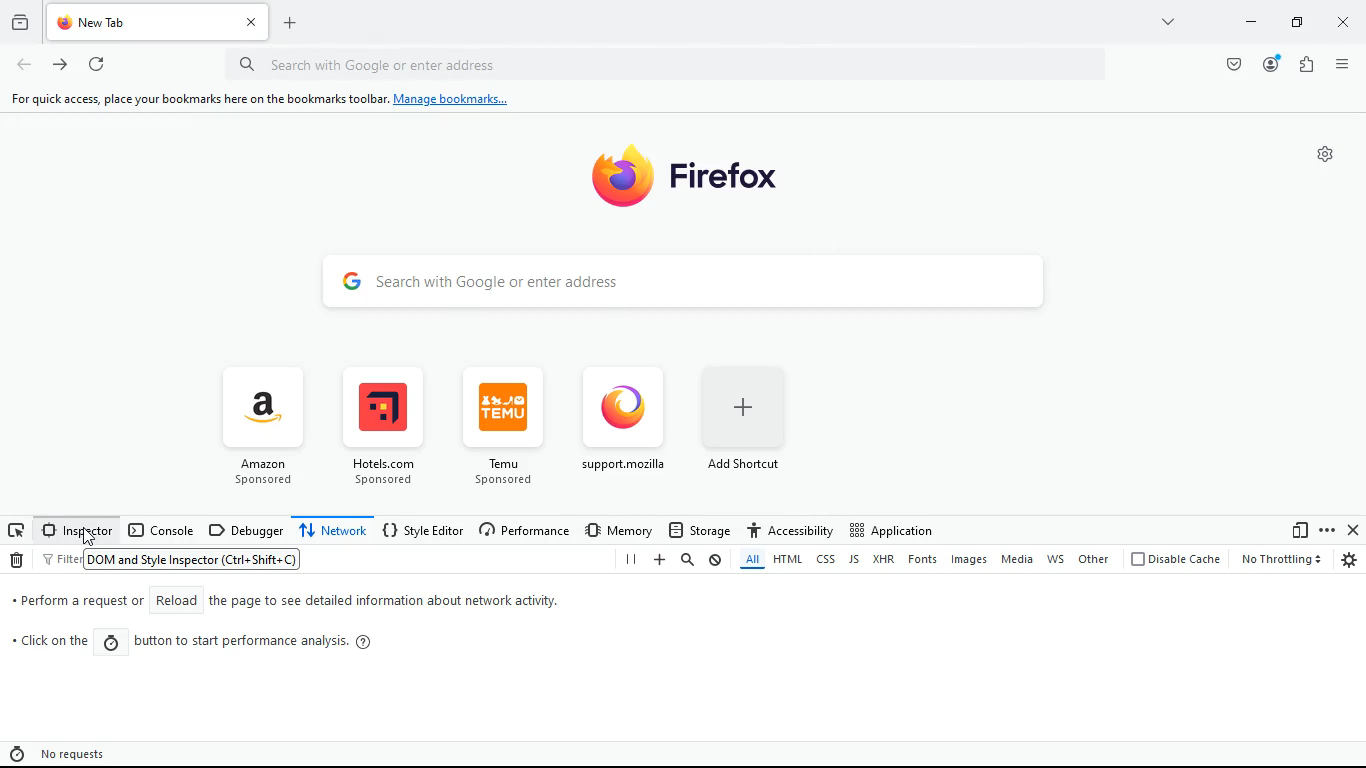 The width and height of the screenshot is (1366, 768). What do you see at coordinates (351, 279) in the screenshot?
I see `Google logo` at bounding box center [351, 279].